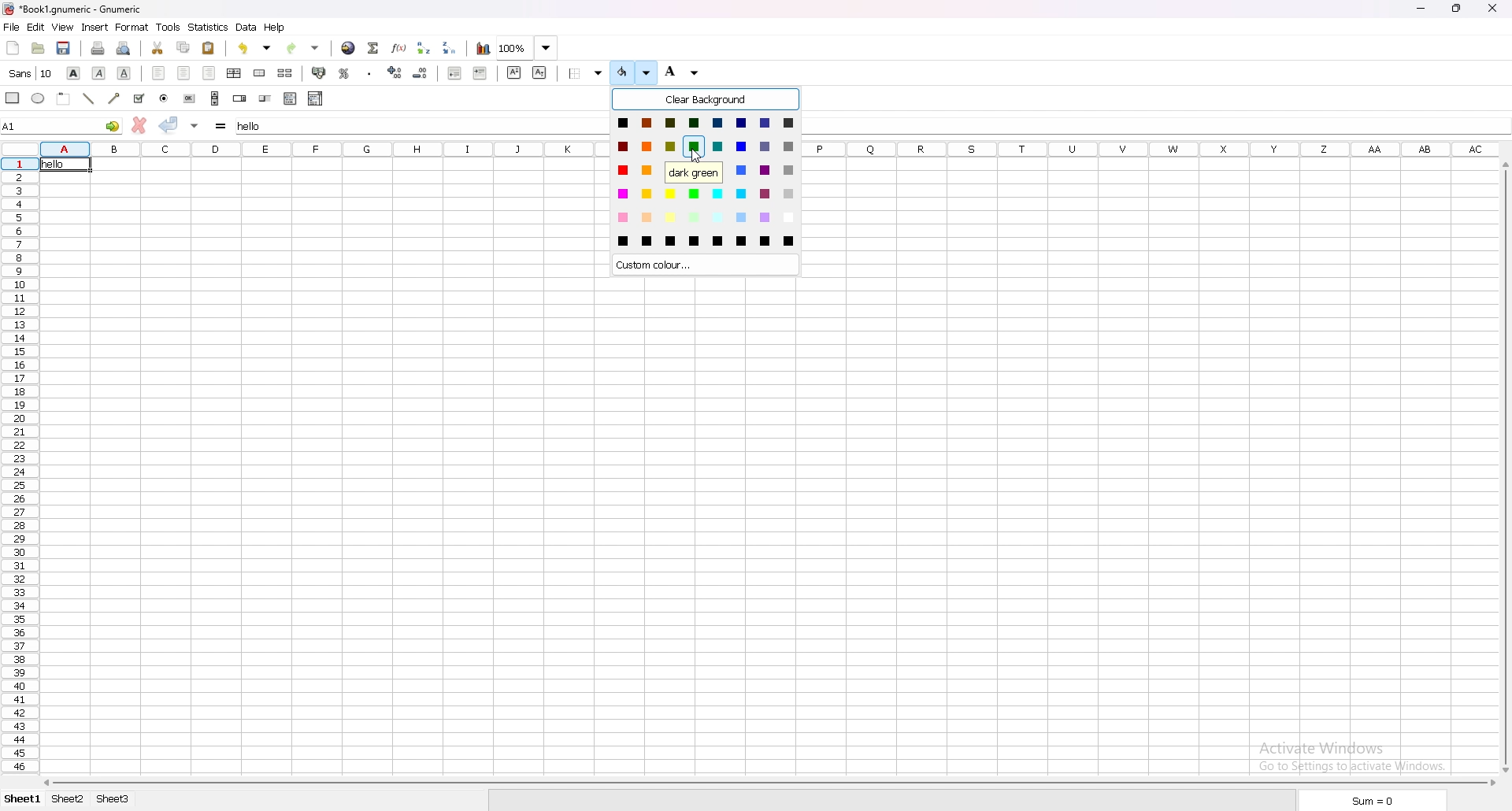 The width and height of the screenshot is (1512, 811). Describe the element at coordinates (400, 48) in the screenshot. I see `function` at that location.